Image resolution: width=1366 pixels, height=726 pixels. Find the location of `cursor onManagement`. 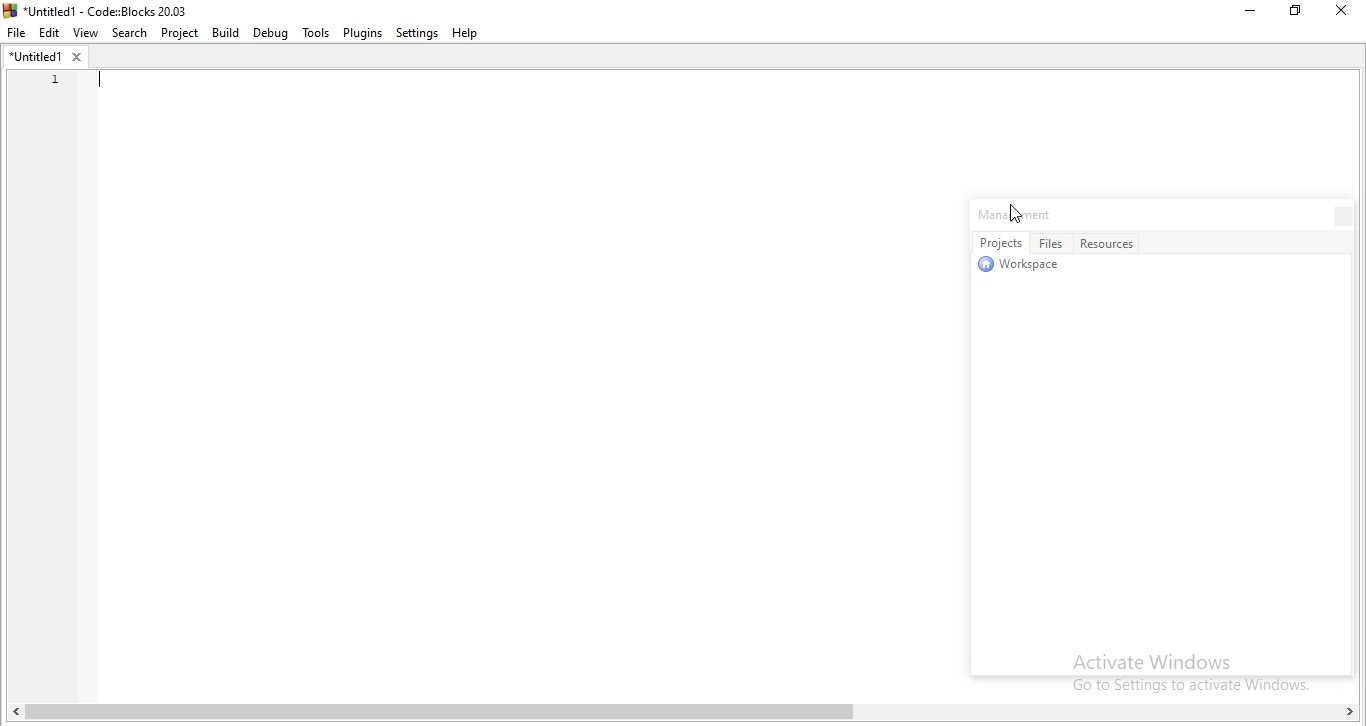

cursor onManagement is located at coordinates (1017, 214).